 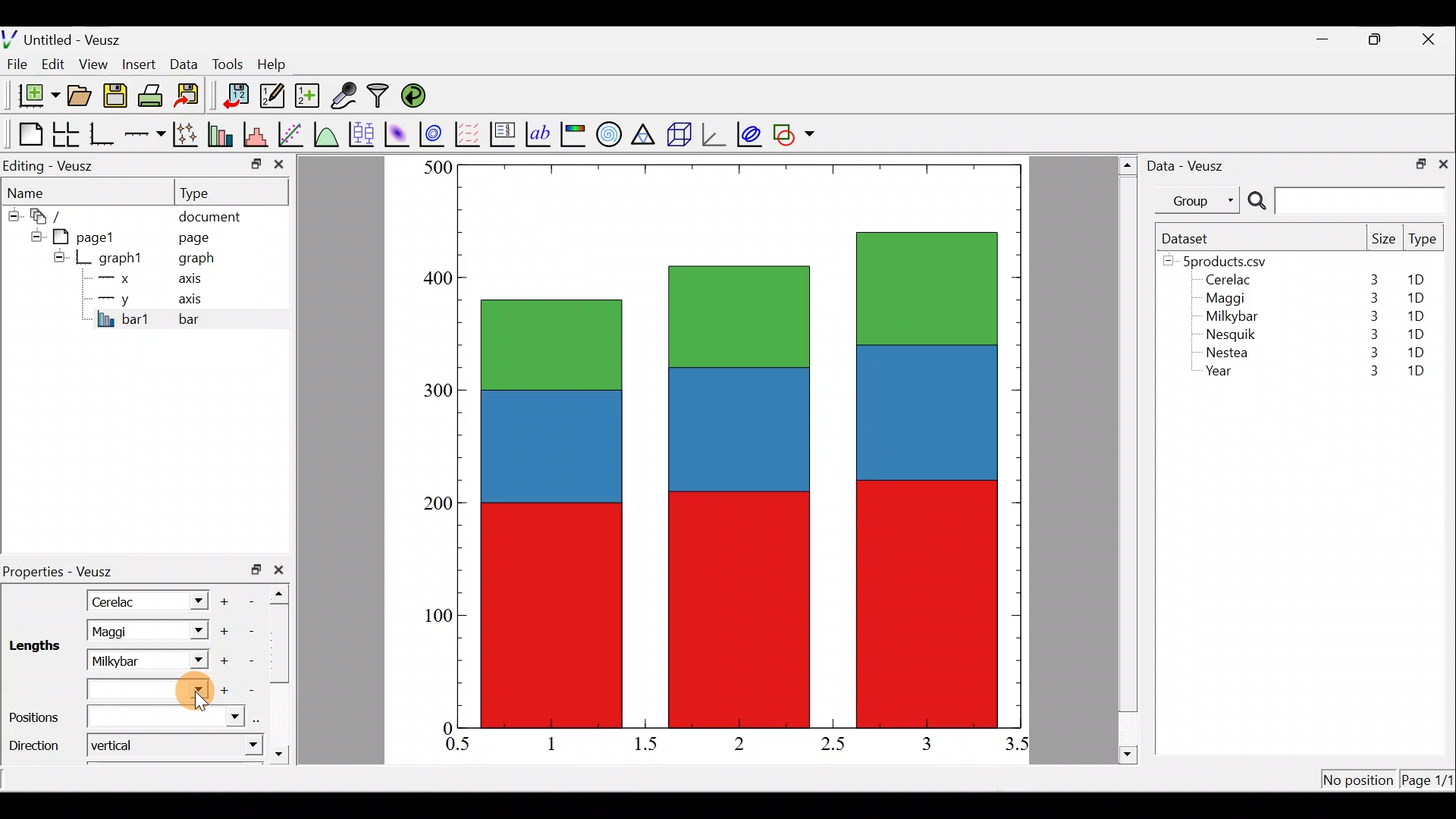 I want to click on Maggi, so click(x=1227, y=300).